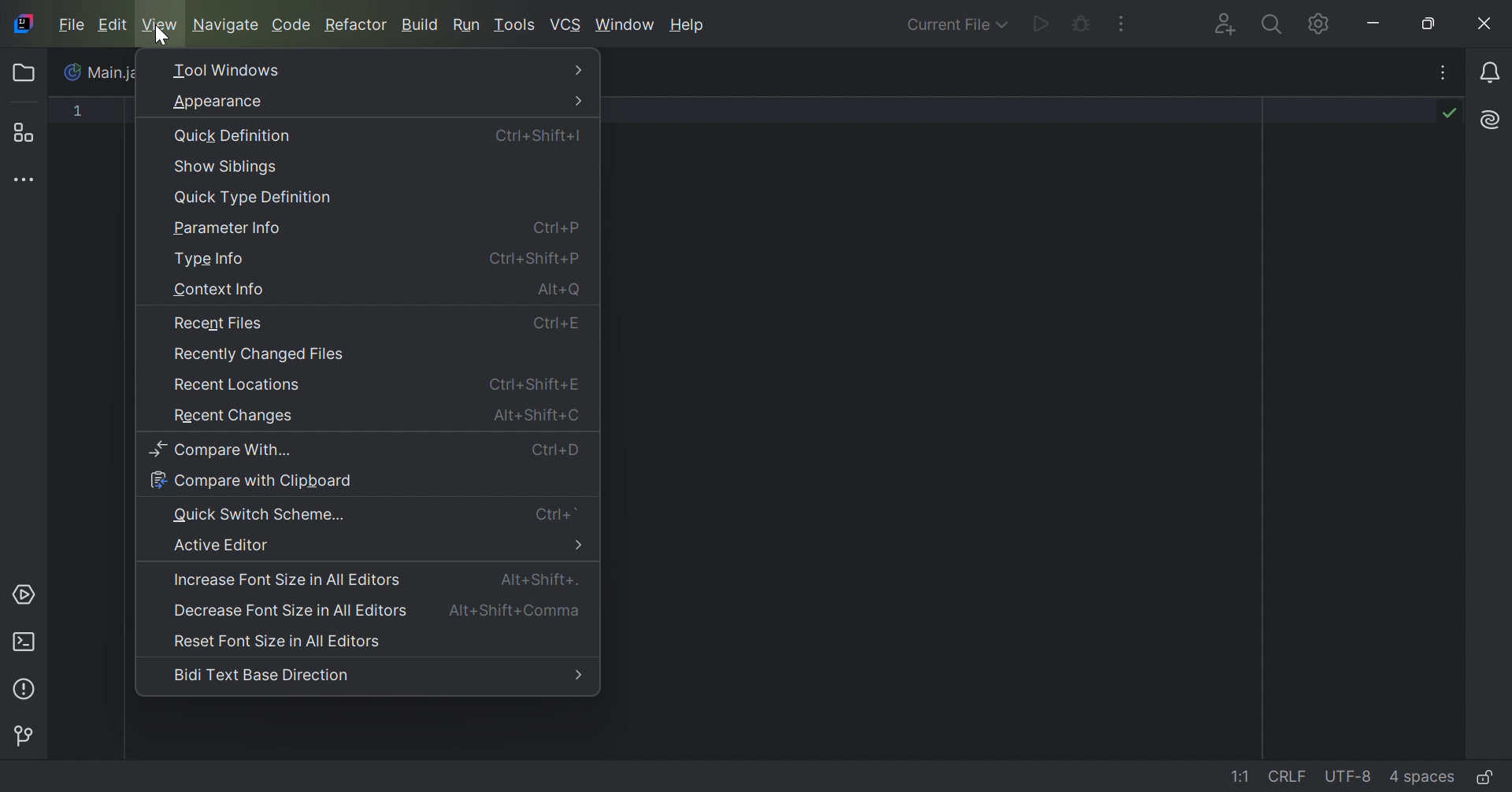  I want to click on Quick Type Definition, so click(253, 198).